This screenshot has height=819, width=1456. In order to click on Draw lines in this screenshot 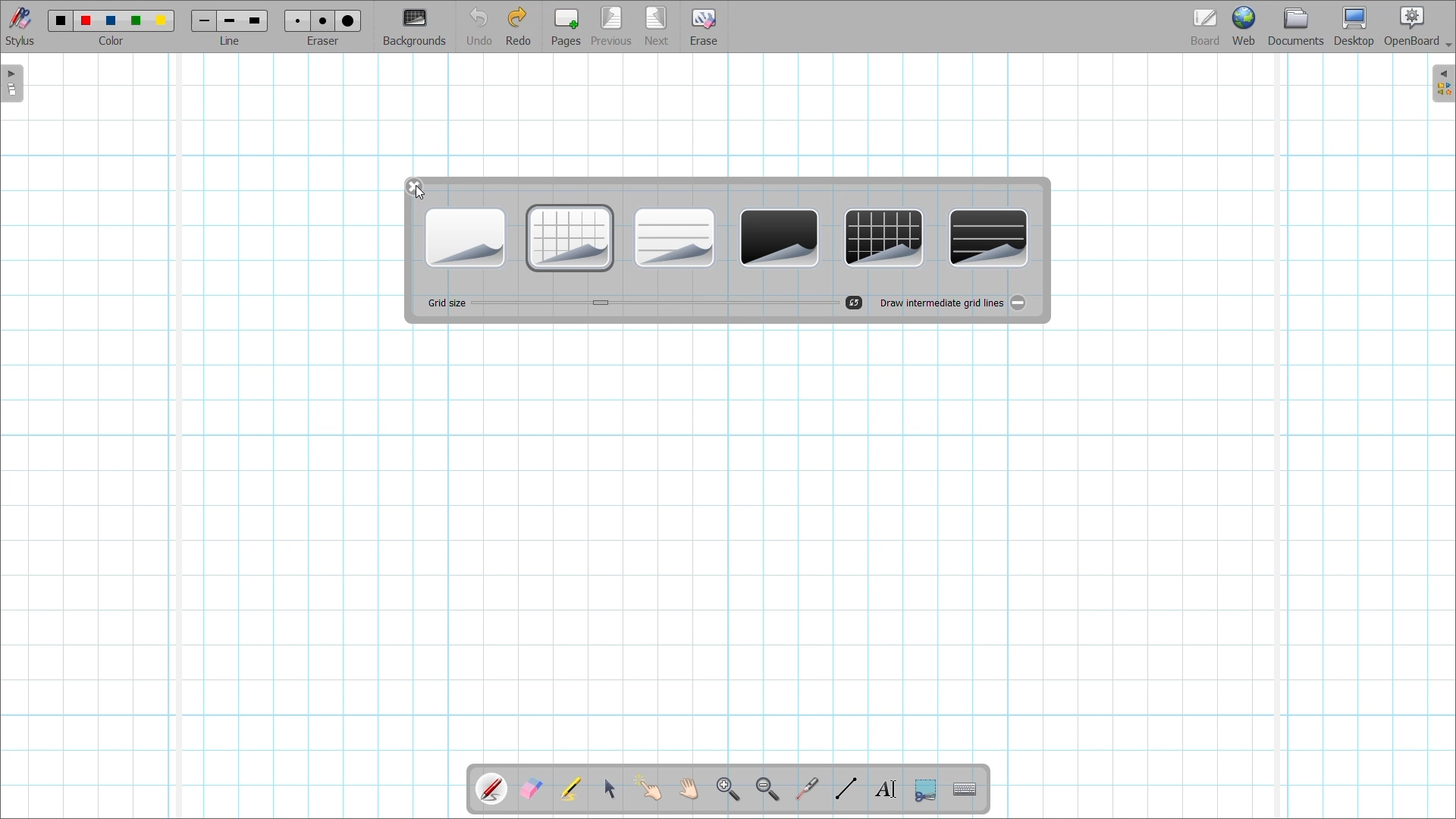, I will do `click(846, 788)`.